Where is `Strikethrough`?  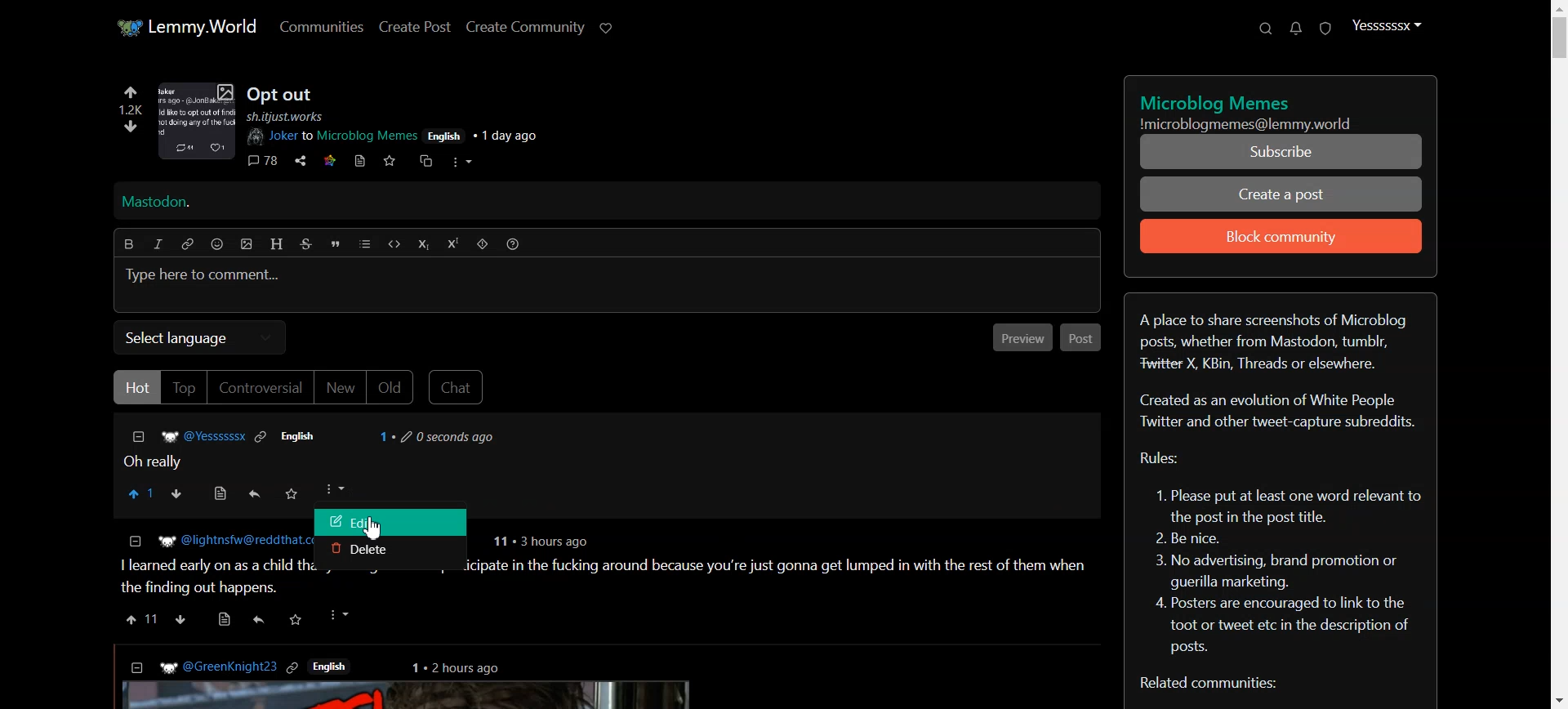
Strikethrough is located at coordinates (305, 243).